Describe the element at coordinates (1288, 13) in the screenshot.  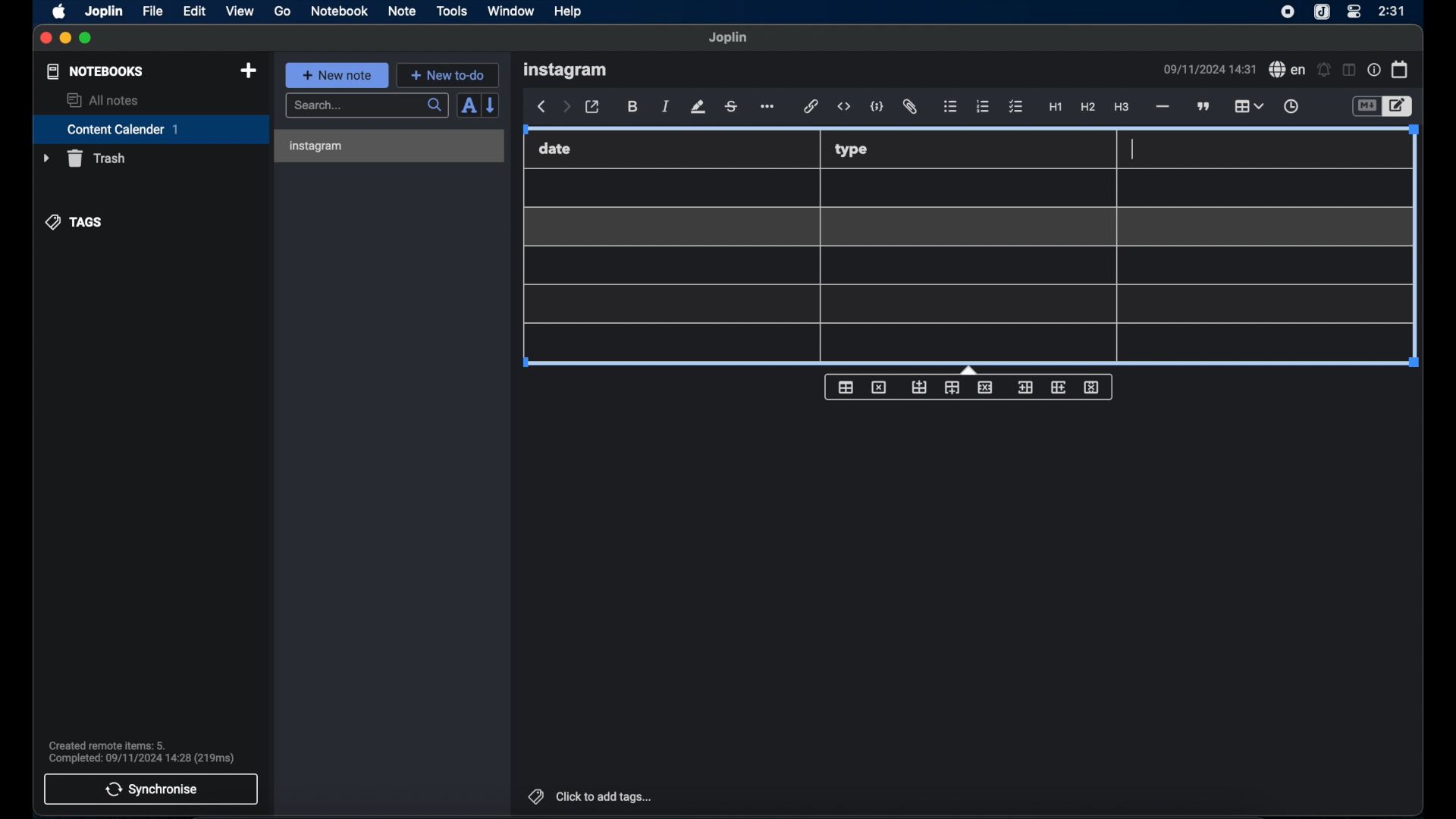
I see `screen recorder icon` at that location.